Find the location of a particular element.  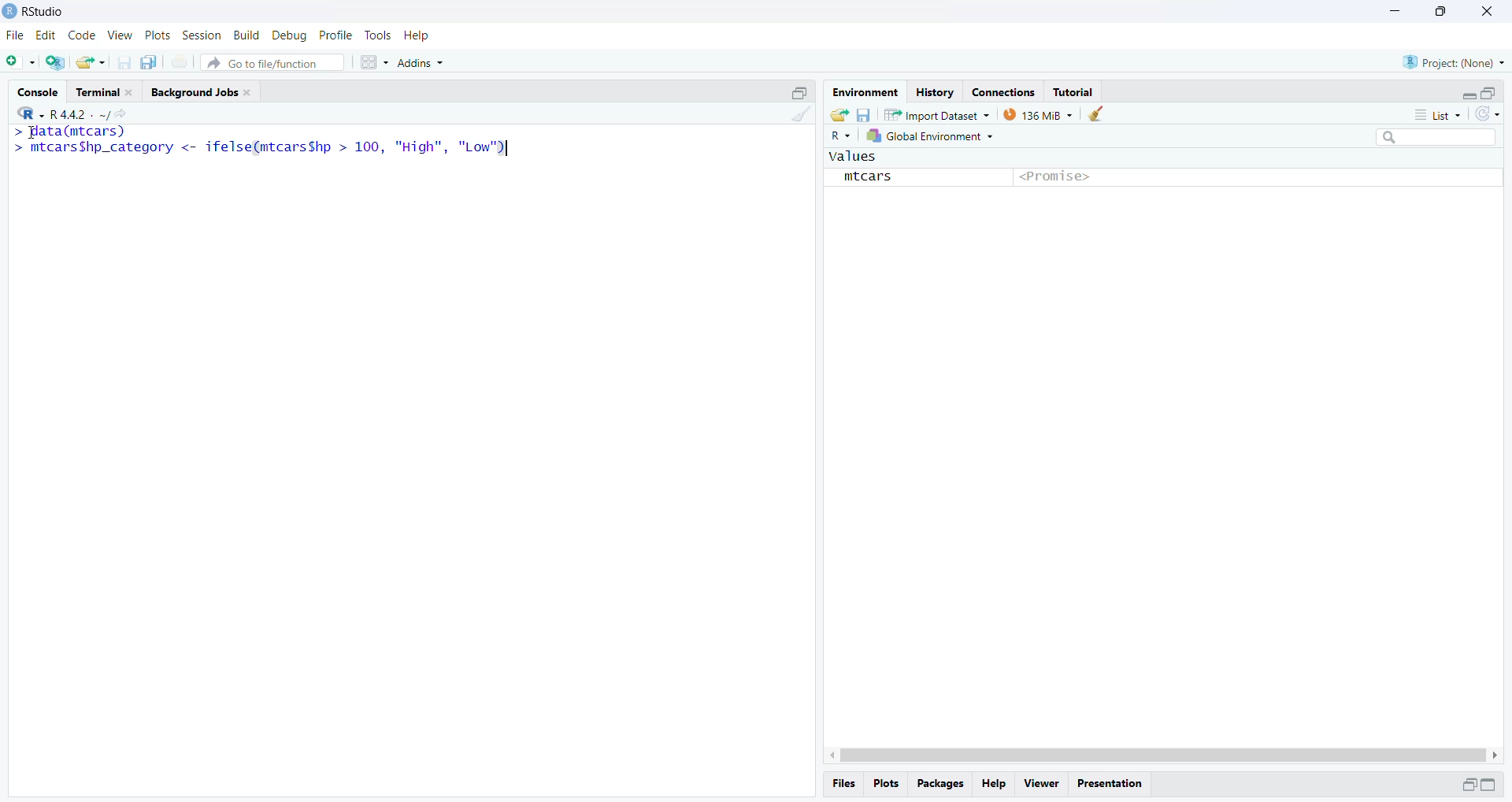

View the current working directory is located at coordinates (121, 113).